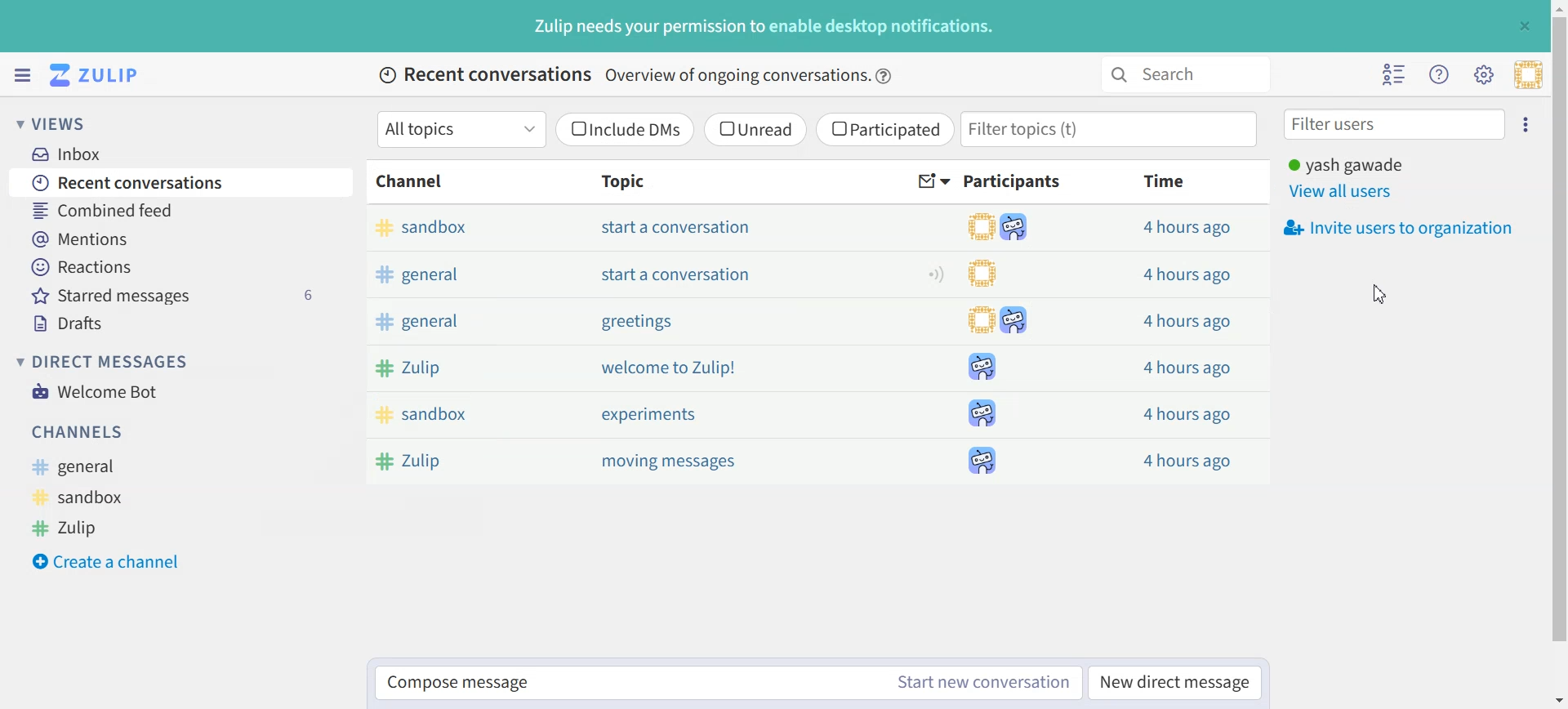 The height and width of the screenshot is (709, 1568). Describe the element at coordinates (1183, 74) in the screenshot. I see `search` at that location.